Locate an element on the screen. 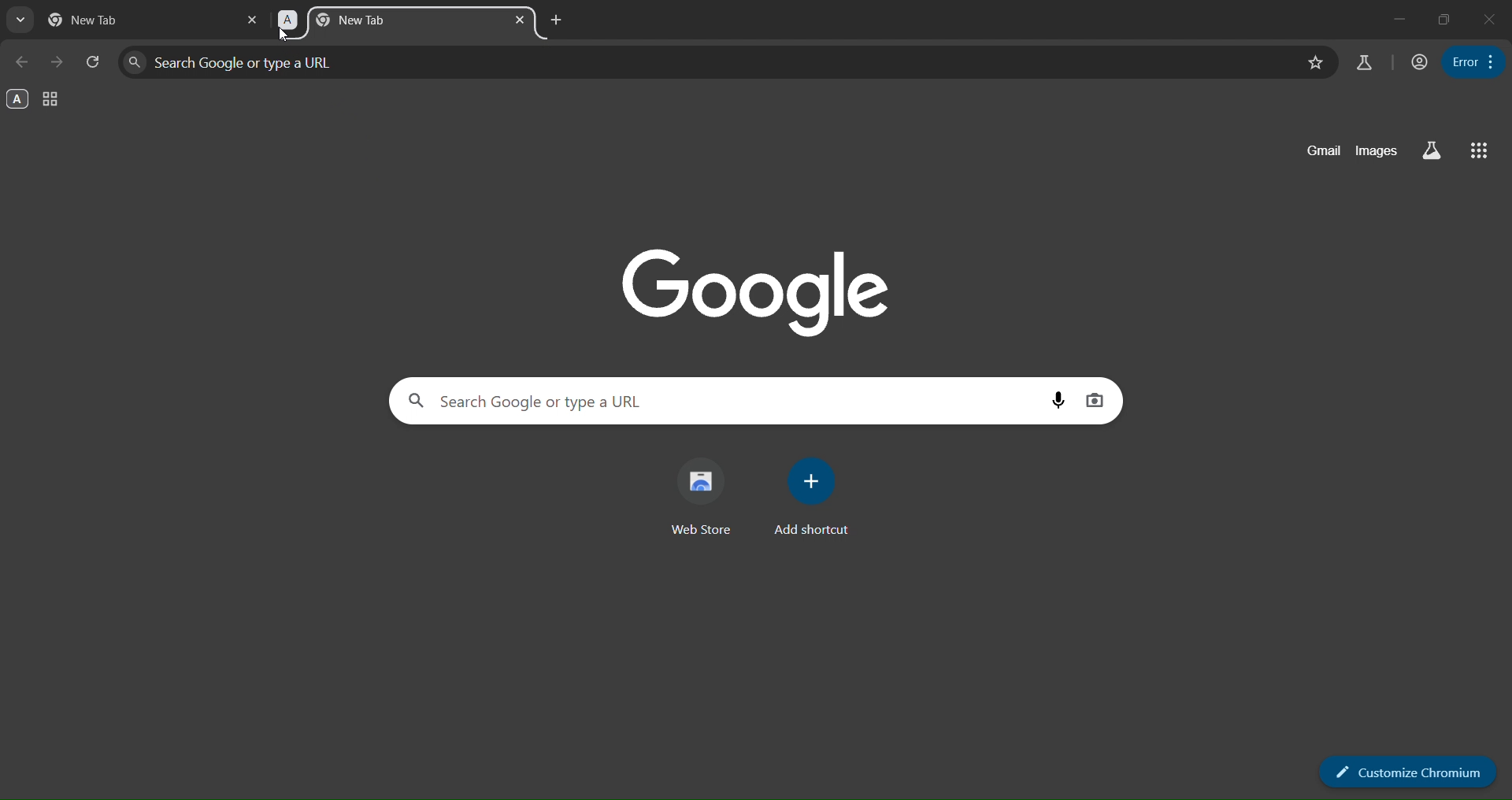 The image size is (1512, 800). close tab is located at coordinates (522, 20).